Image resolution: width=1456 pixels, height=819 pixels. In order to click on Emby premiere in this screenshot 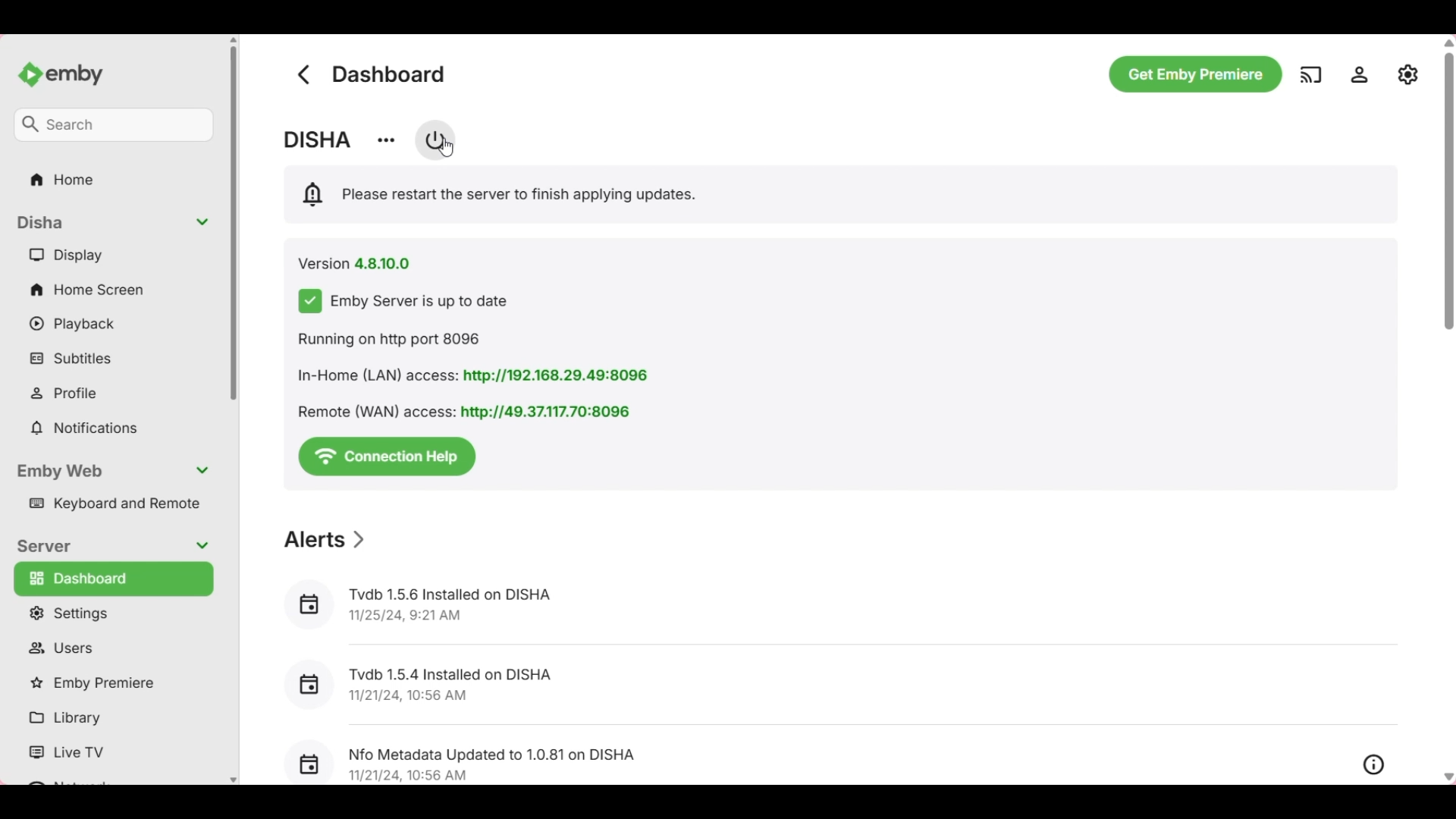, I will do `click(111, 684)`.